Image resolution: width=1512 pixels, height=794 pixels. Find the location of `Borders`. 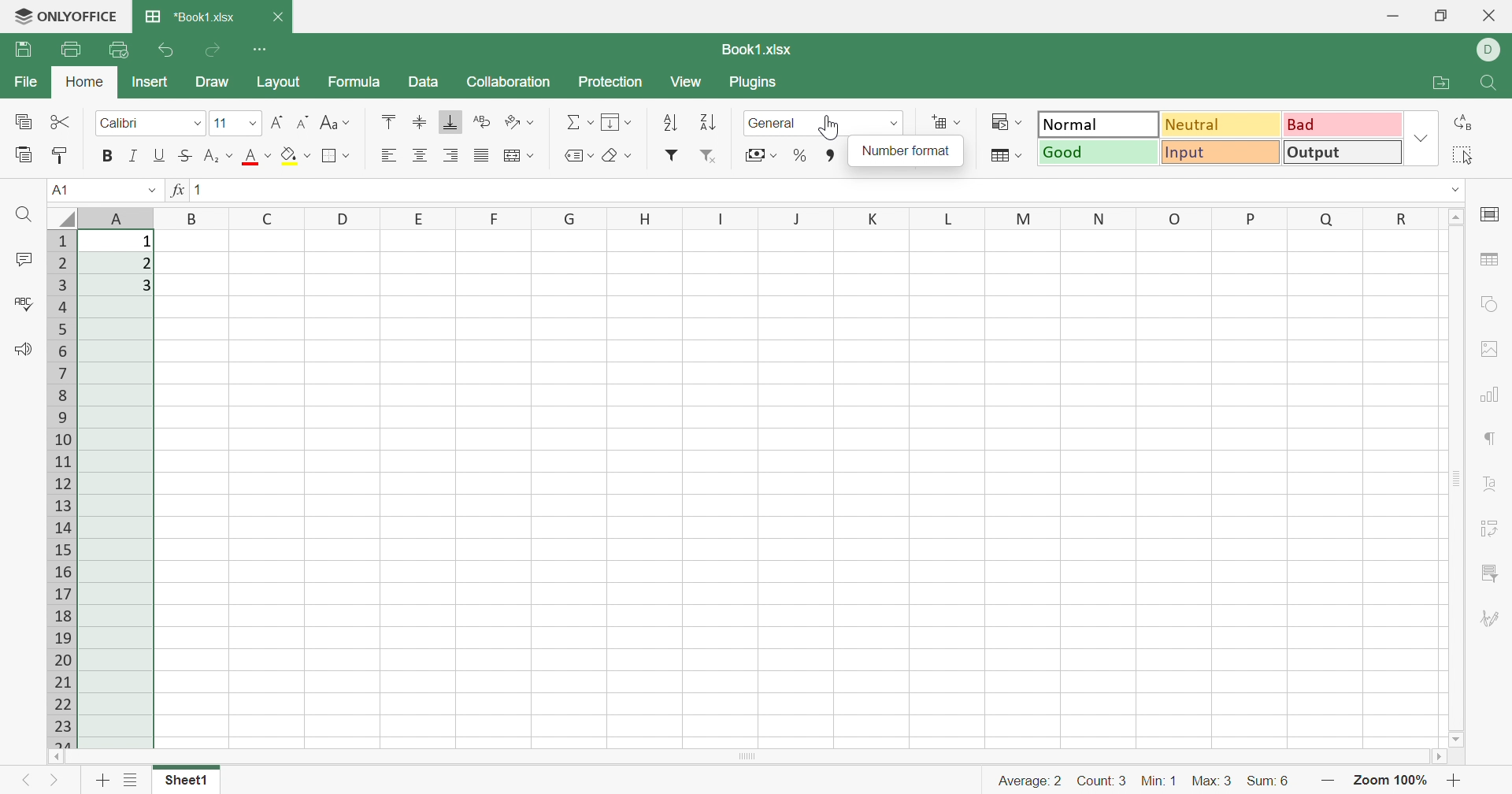

Borders is located at coordinates (335, 155).